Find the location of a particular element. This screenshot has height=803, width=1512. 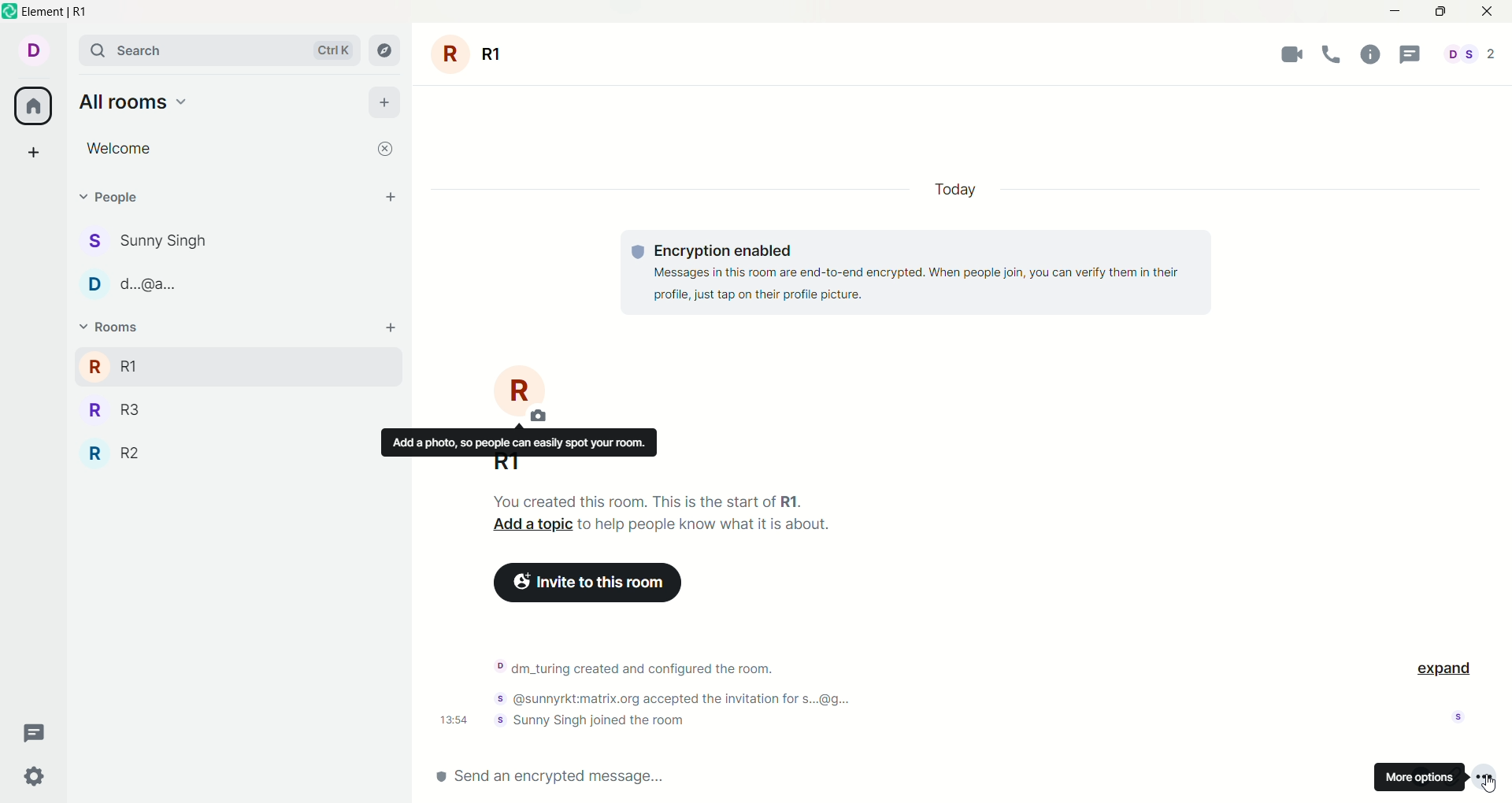

settings is located at coordinates (35, 778).